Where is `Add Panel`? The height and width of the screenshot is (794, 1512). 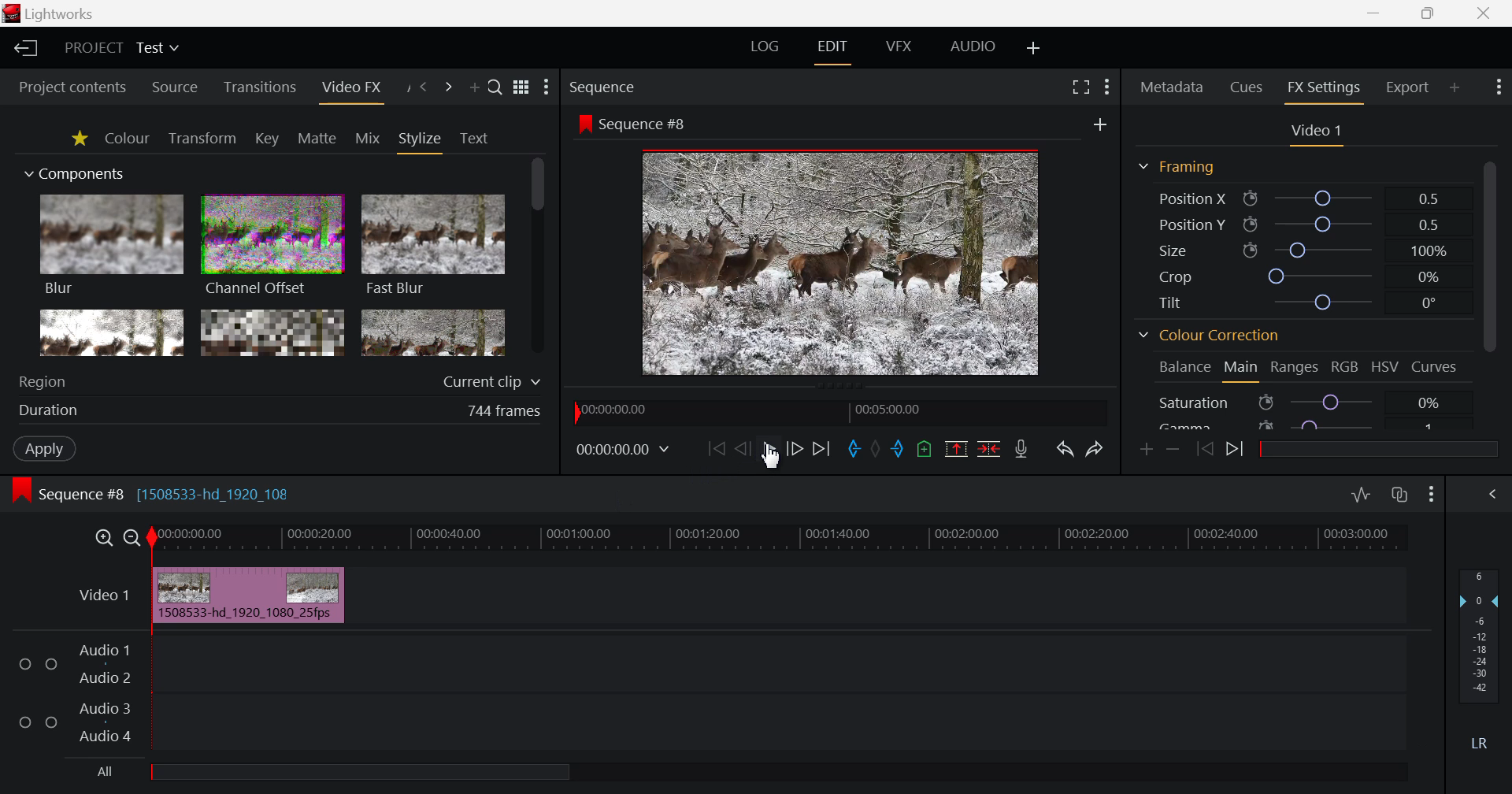 Add Panel is located at coordinates (1455, 86).